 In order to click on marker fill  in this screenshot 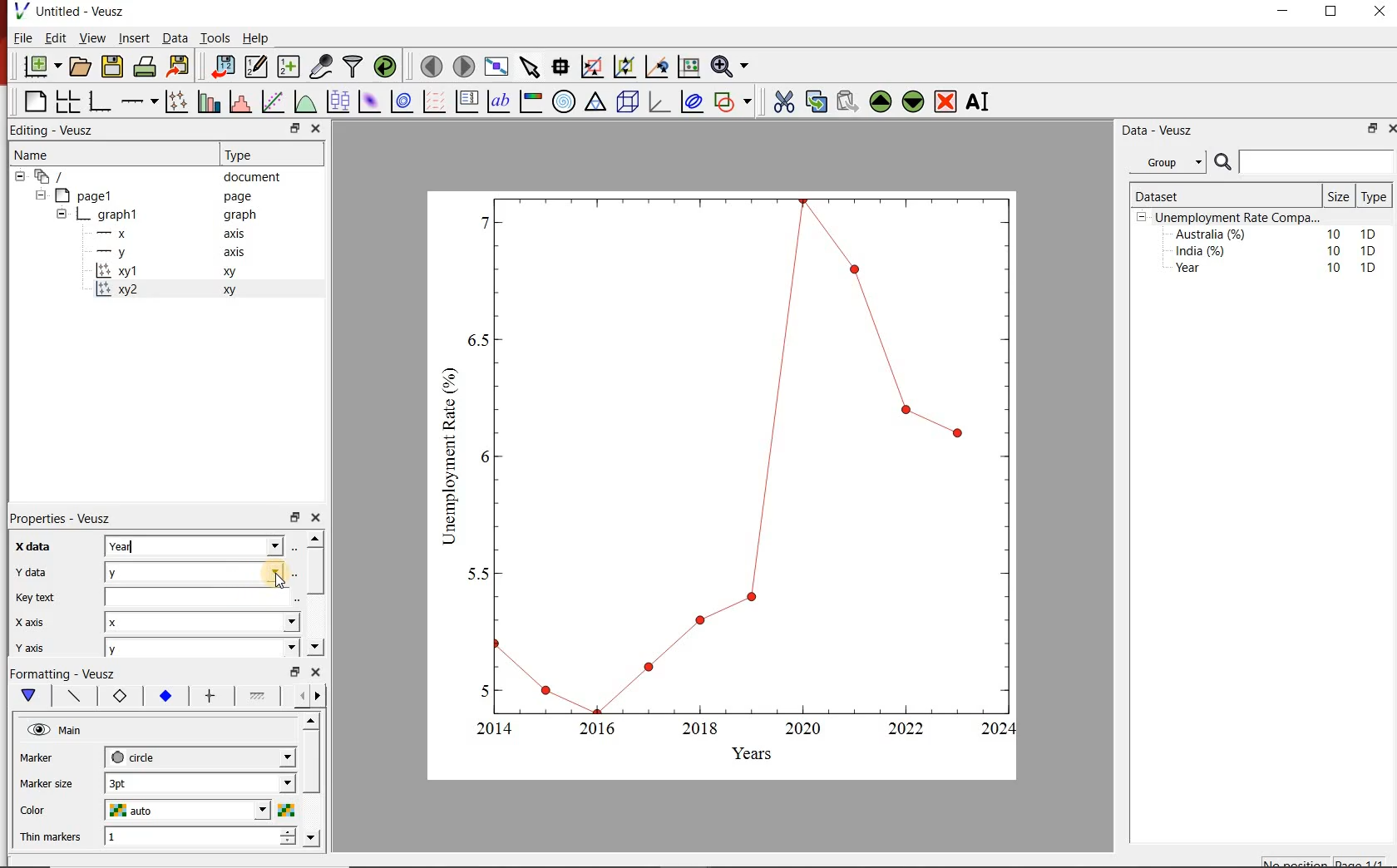, I will do `click(166, 697)`.